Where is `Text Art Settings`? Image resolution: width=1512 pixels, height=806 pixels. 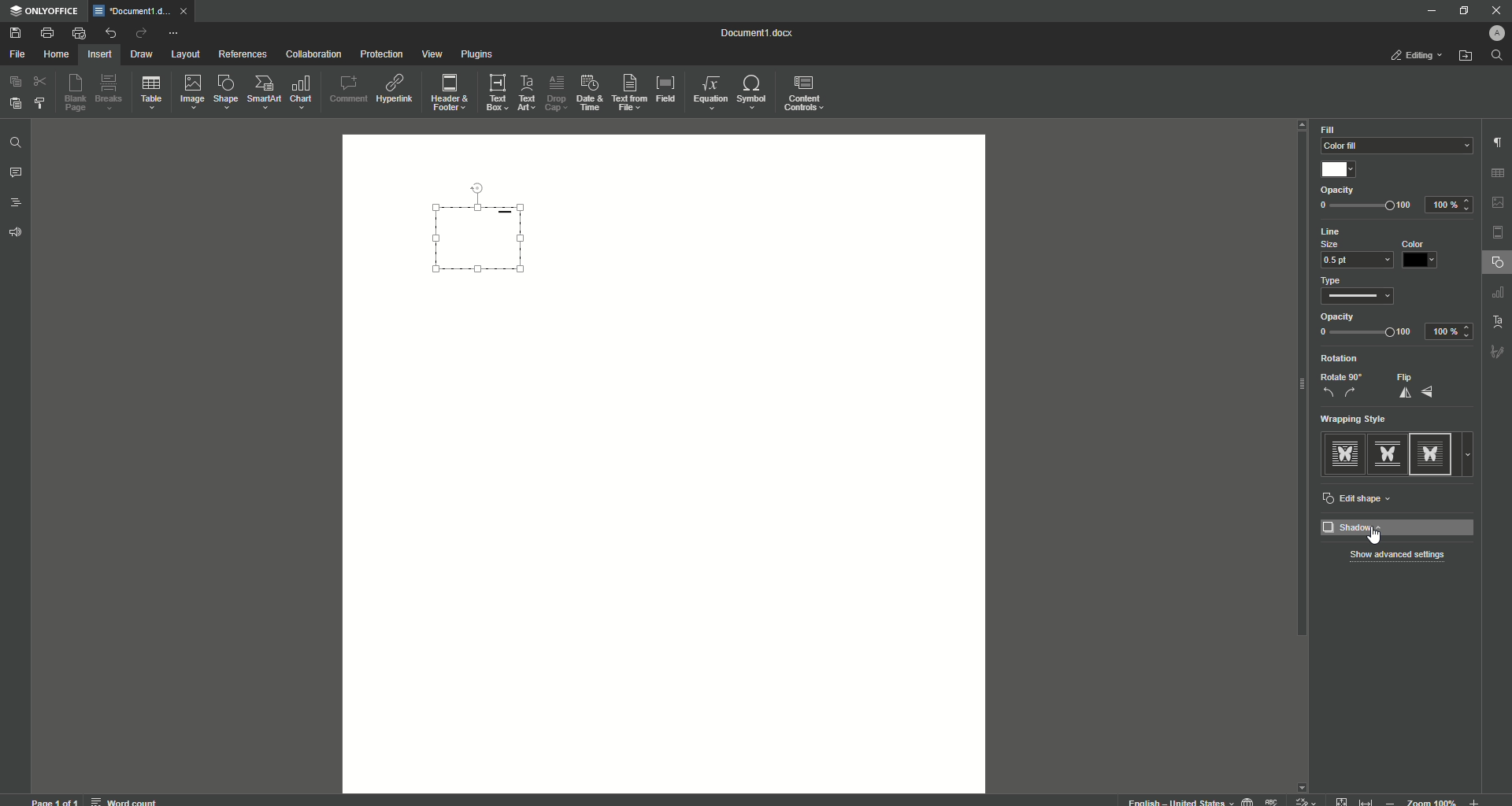
Text Art Settings is located at coordinates (1495, 320).